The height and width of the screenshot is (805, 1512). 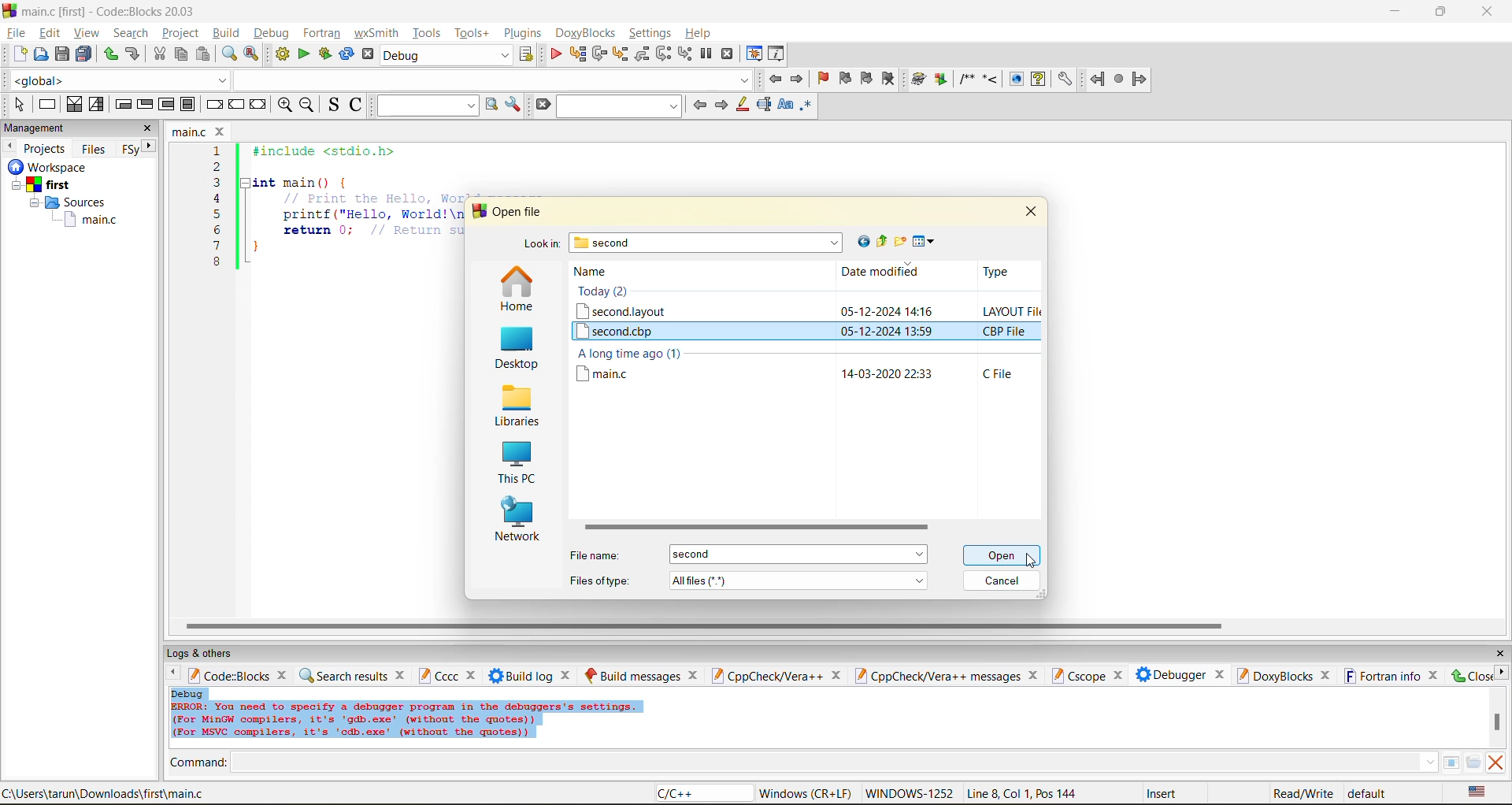 I want to click on return instruction, so click(x=259, y=106).